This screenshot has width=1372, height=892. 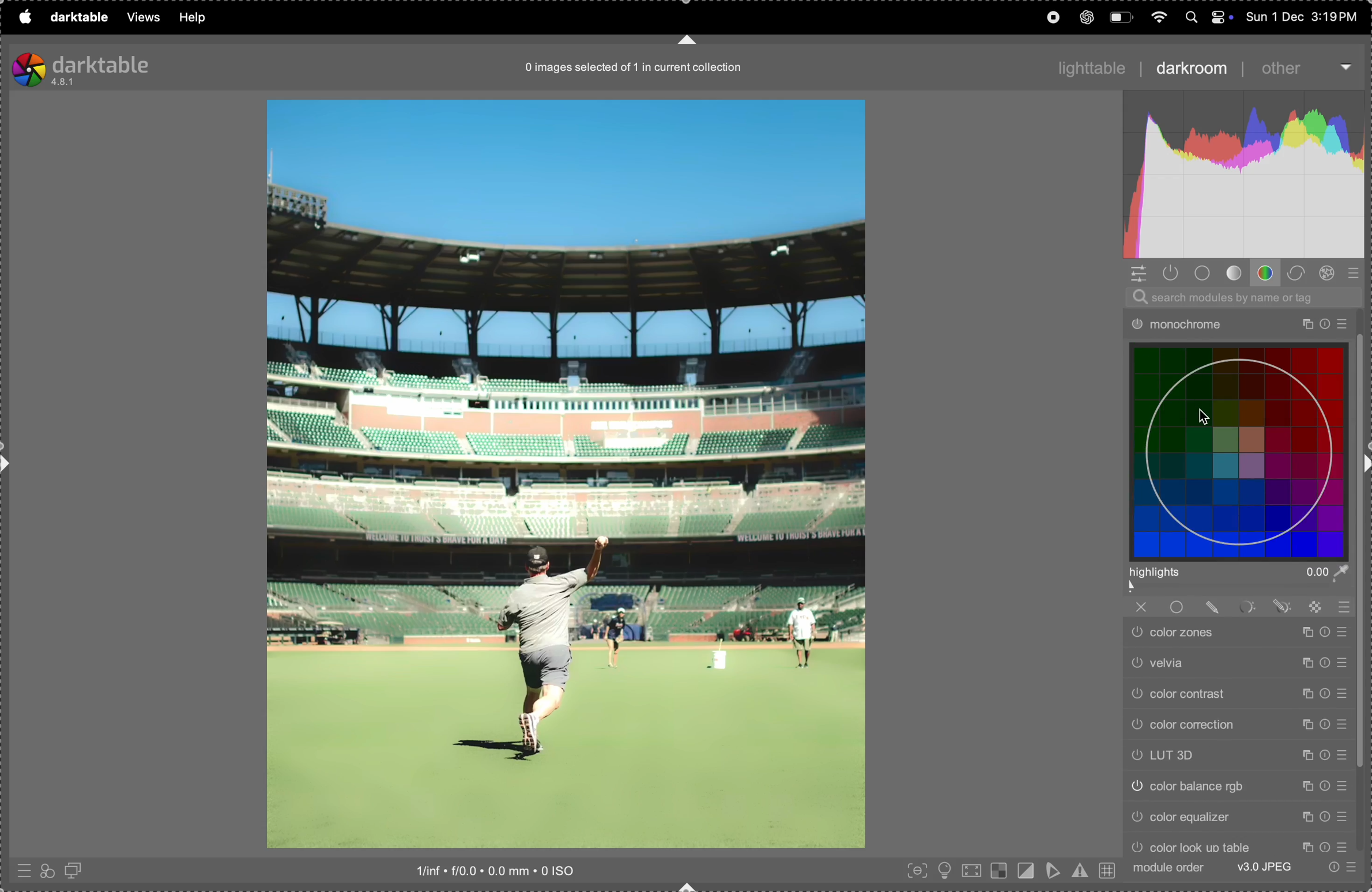 What do you see at coordinates (1238, 725) in the screenshot?
I see `color correction` at bounding box center [1238, 725].